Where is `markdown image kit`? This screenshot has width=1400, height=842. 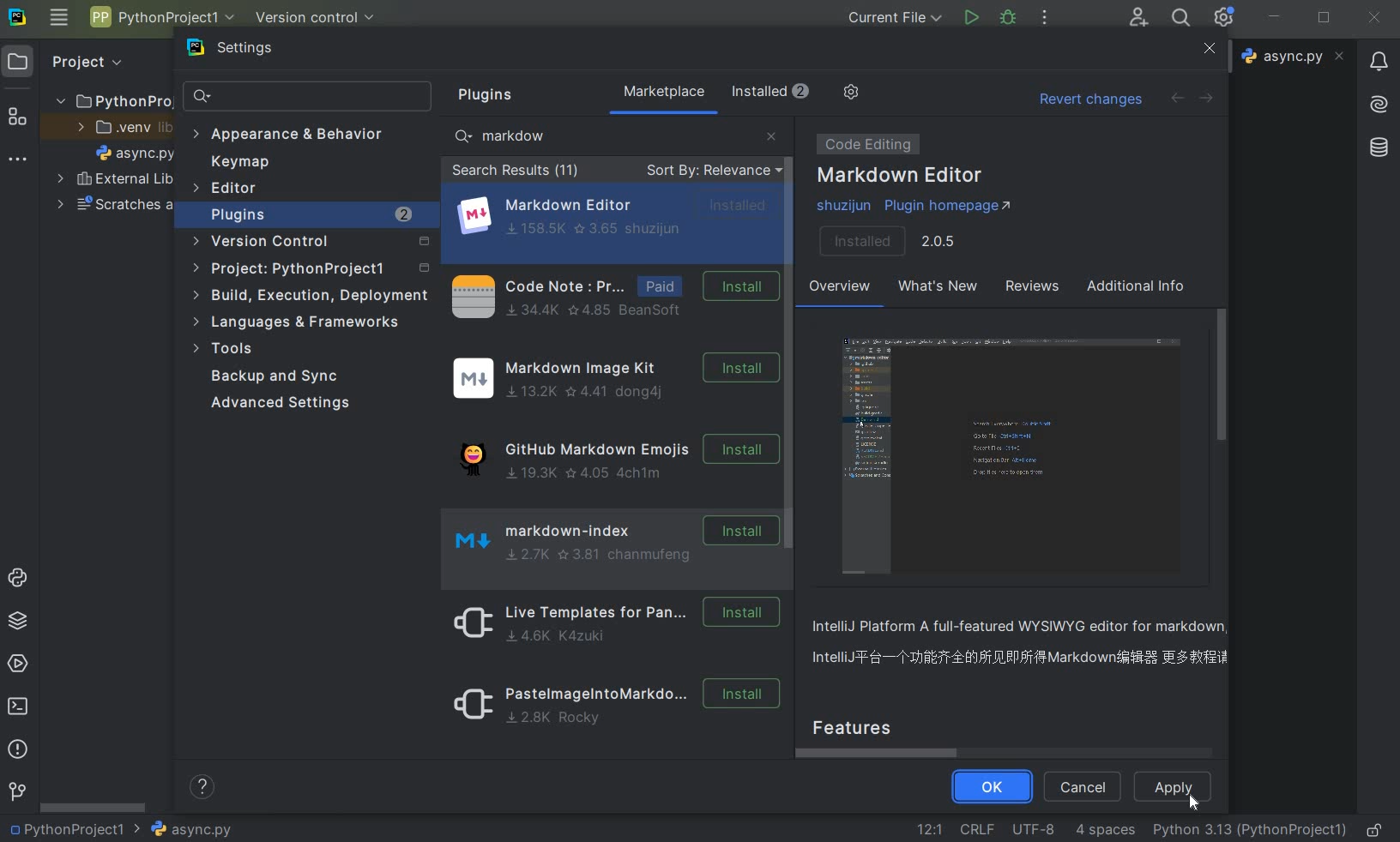 markdown image kit is located at coordinates (613, 379).